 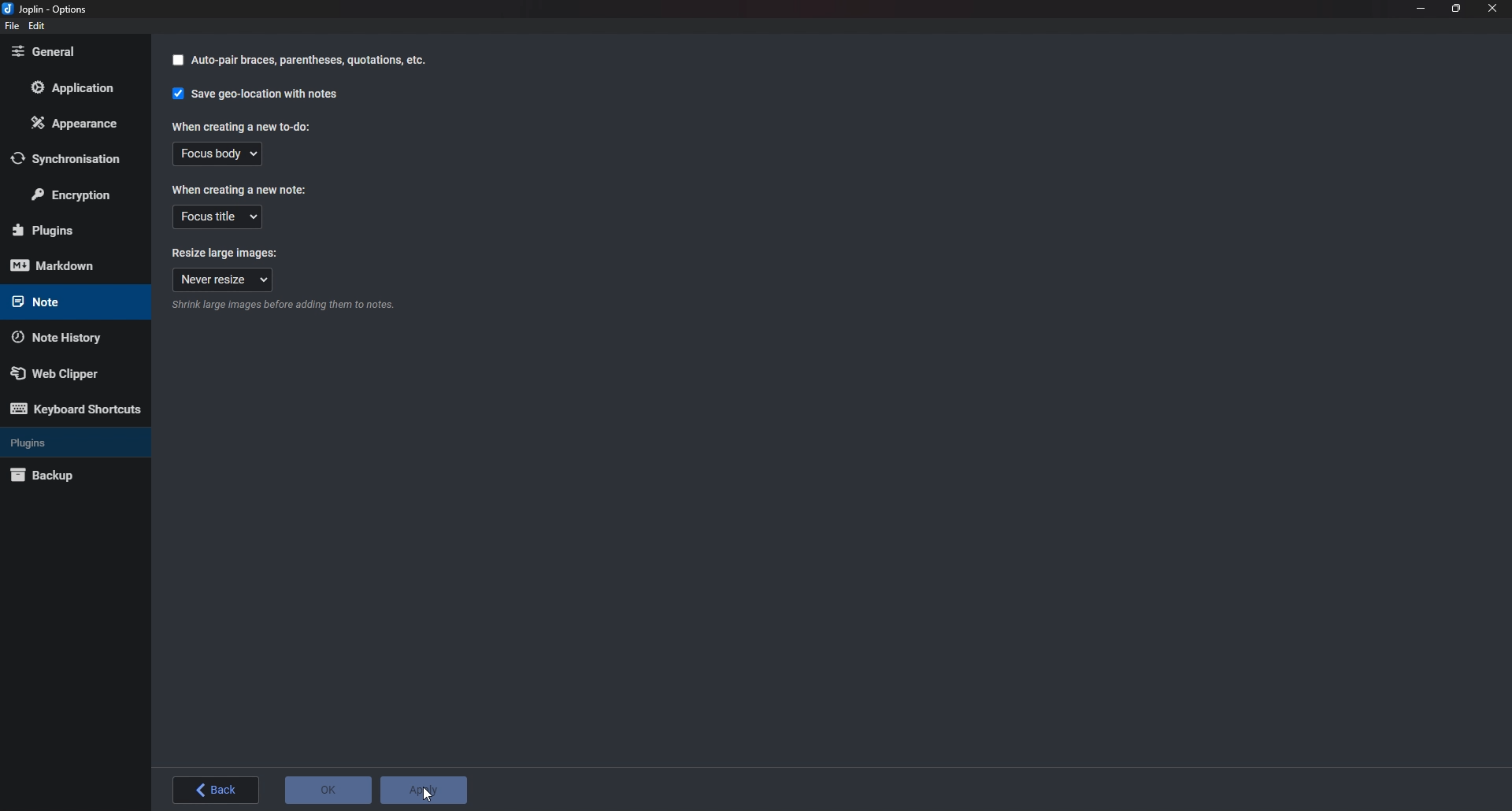 What do you see at coordinates (70, 124) in the screenshot?
I see `Appearance` at bounding box center [70, 124].